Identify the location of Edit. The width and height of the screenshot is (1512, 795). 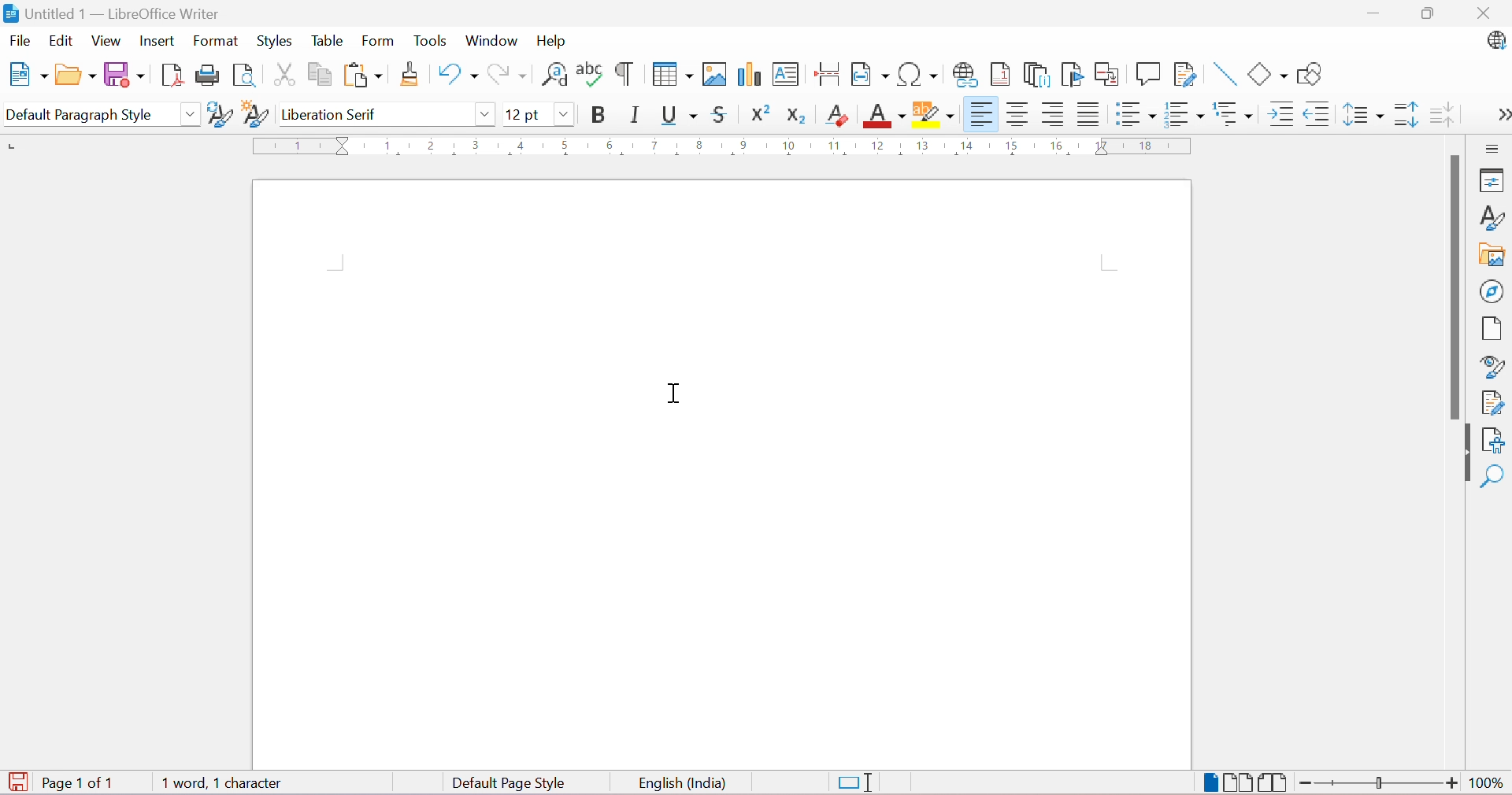
(61, 42).